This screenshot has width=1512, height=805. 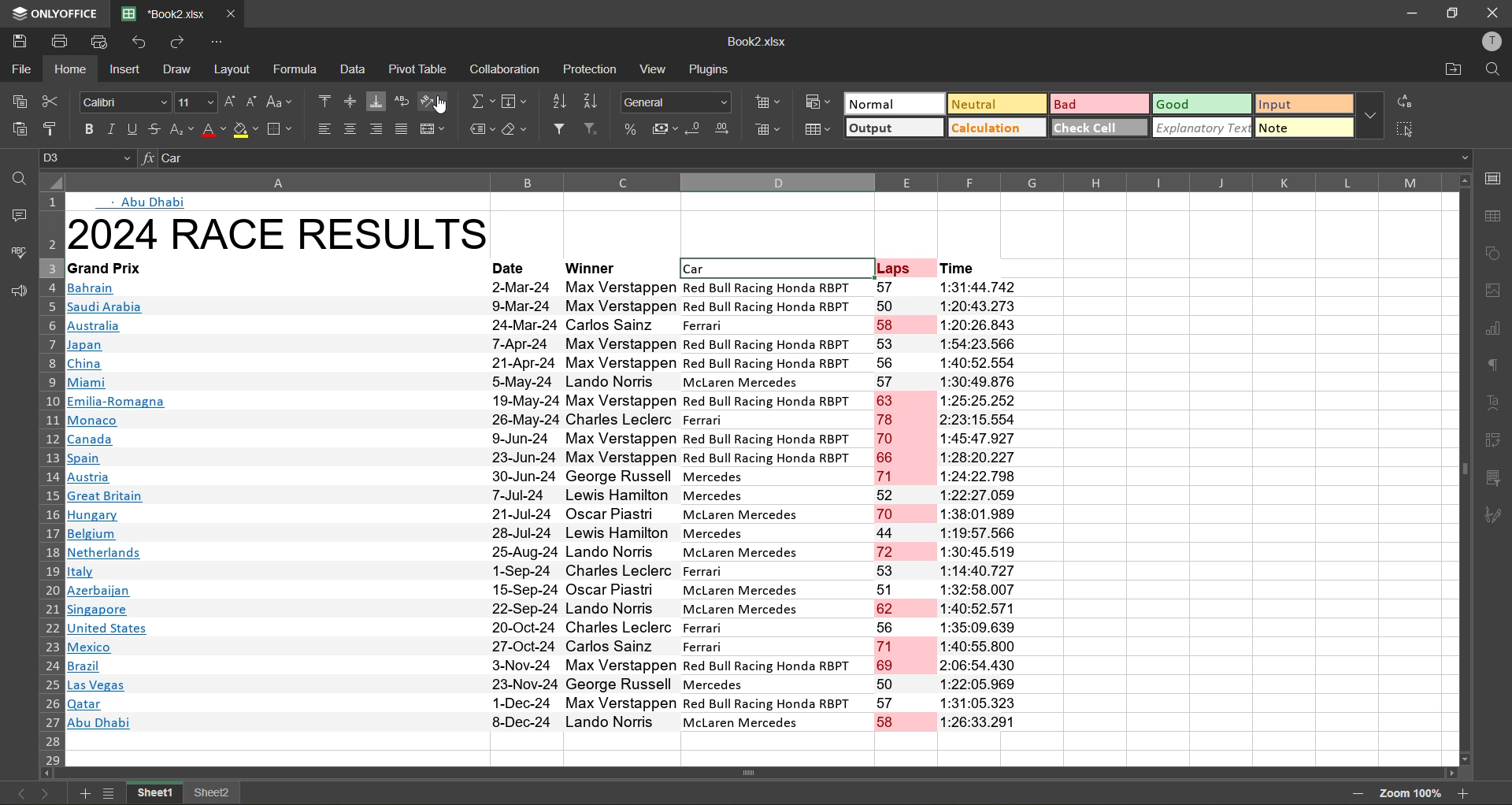 What do you see at coordinates (279, 232) in the screenshot?
I see `2024 Race Results` at bounding box center [279, 232].